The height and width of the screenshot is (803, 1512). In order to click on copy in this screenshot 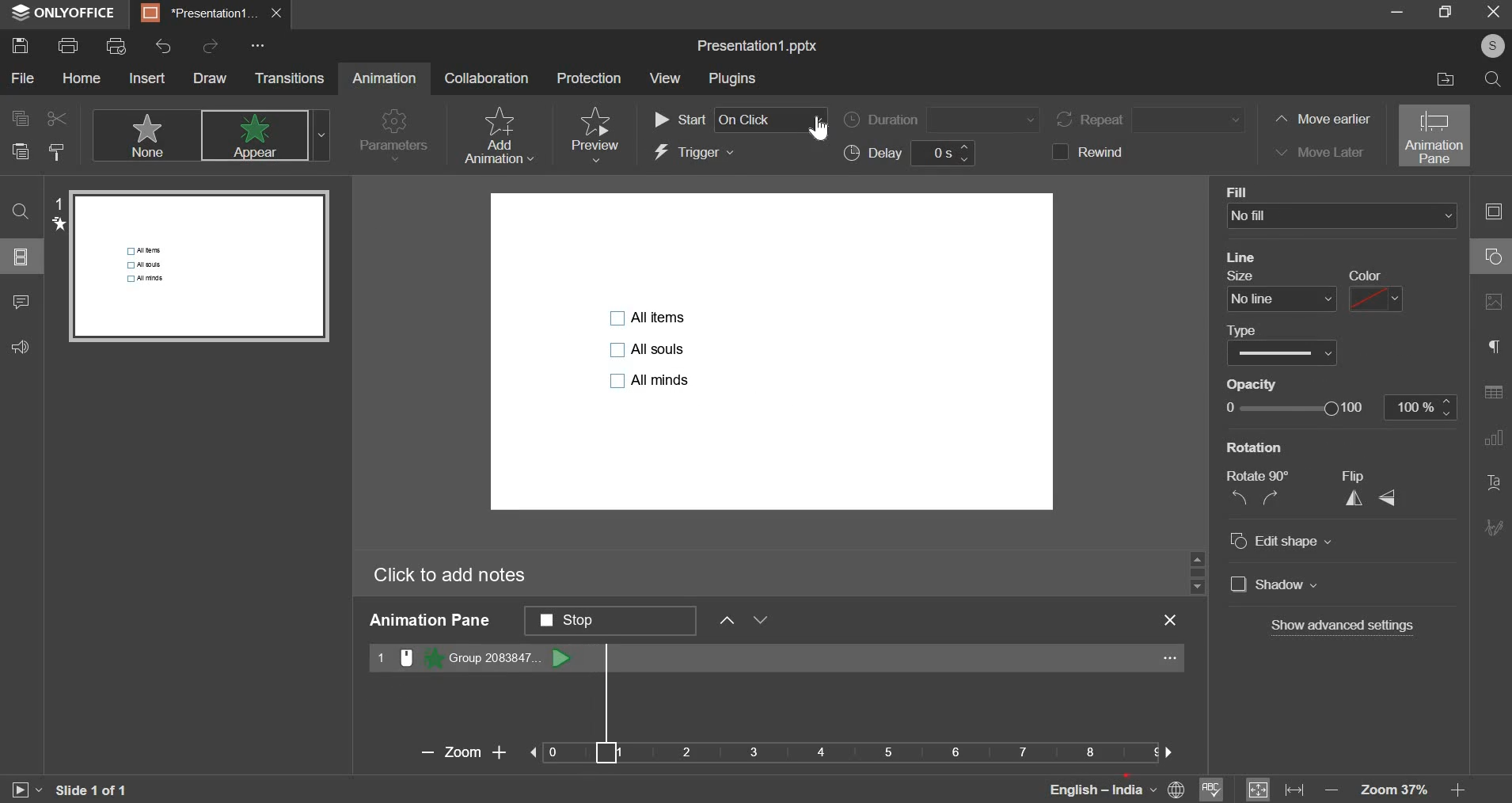, I will do `click(18, 117)`.